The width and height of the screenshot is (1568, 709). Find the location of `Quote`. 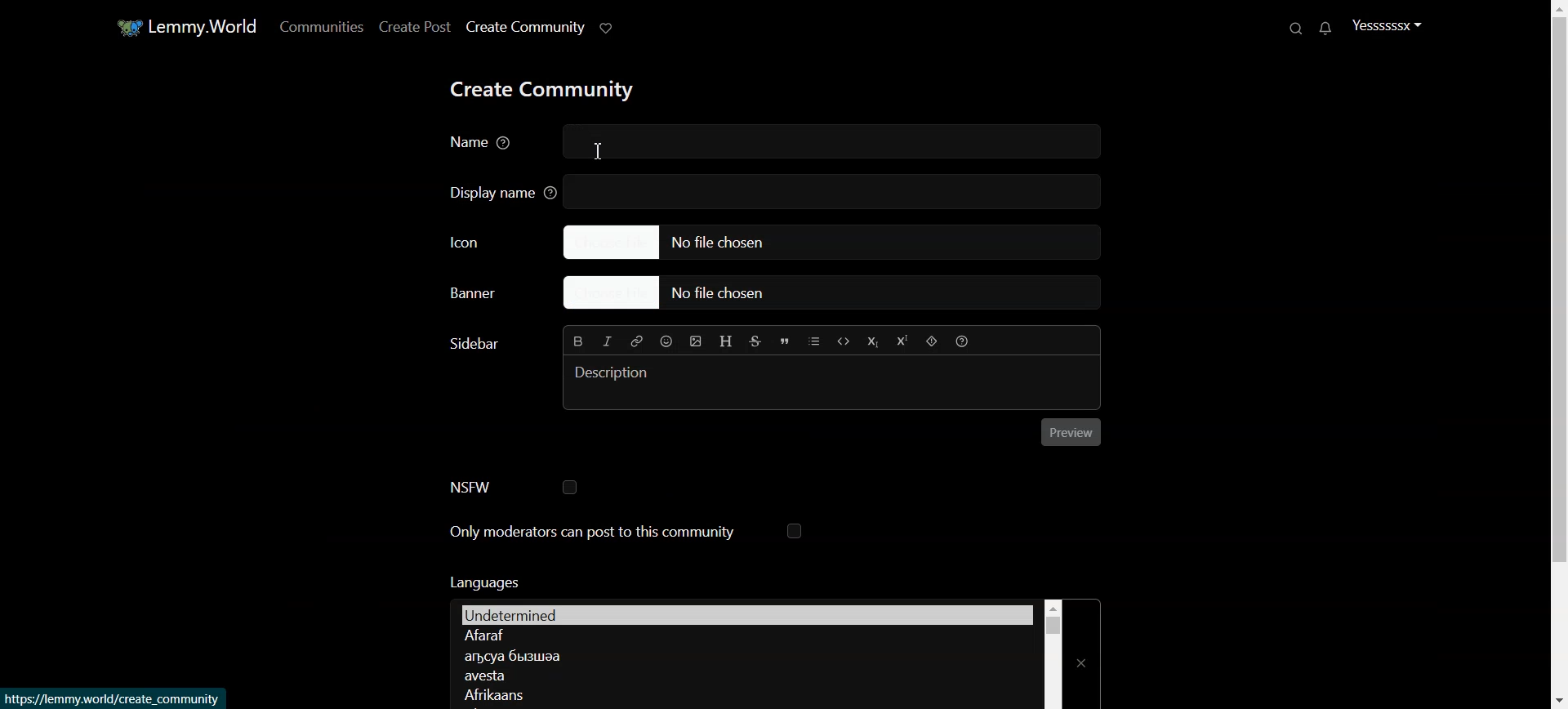

Quote is located at coordinates (785, 341).